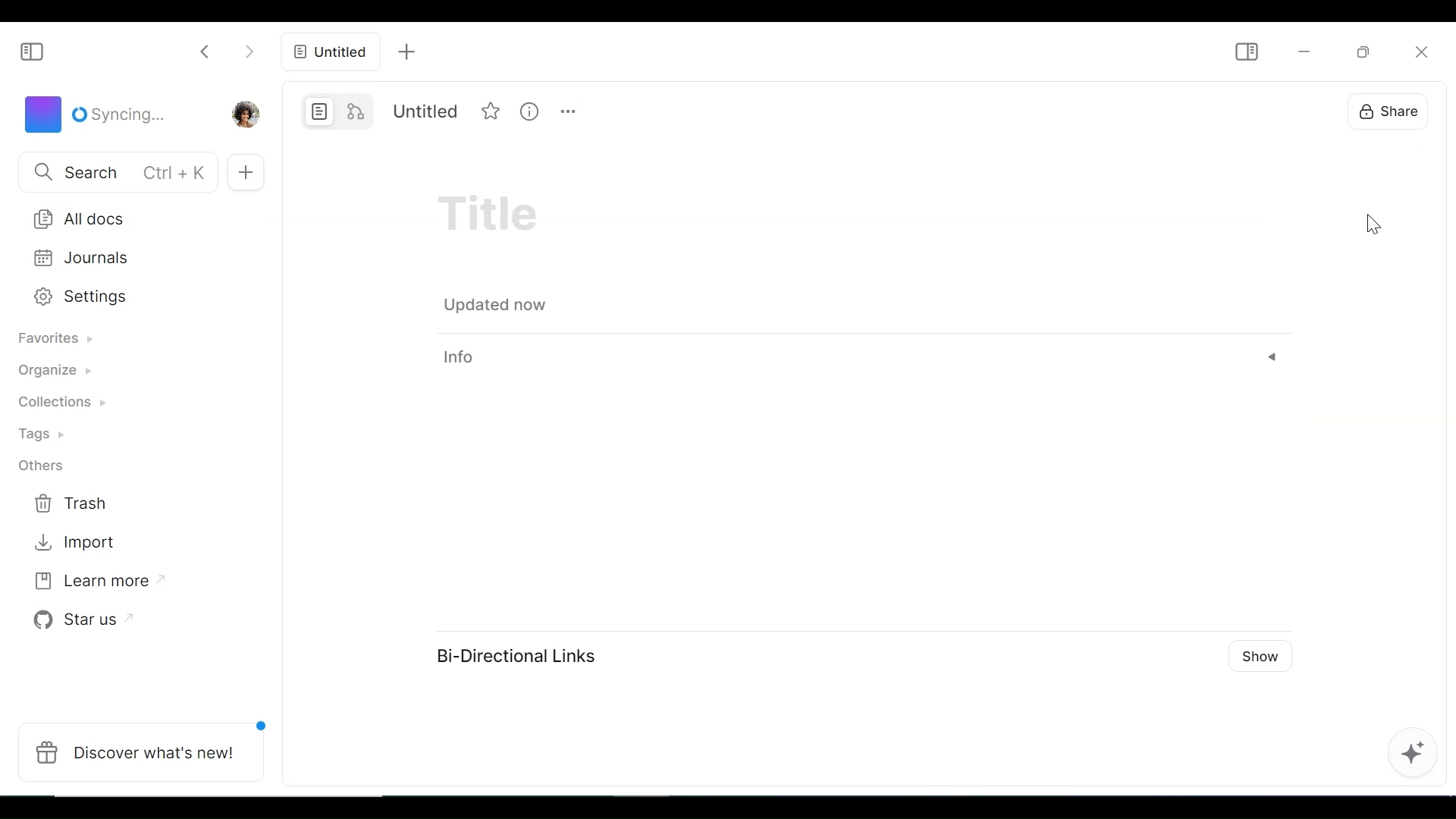 The height and width of the screenshot is (819, 1456). What do you see at coordinates (1244, 53) in the screenshot?
I see `Show/Hide Sidebar` at bounding box center [1244, 53].